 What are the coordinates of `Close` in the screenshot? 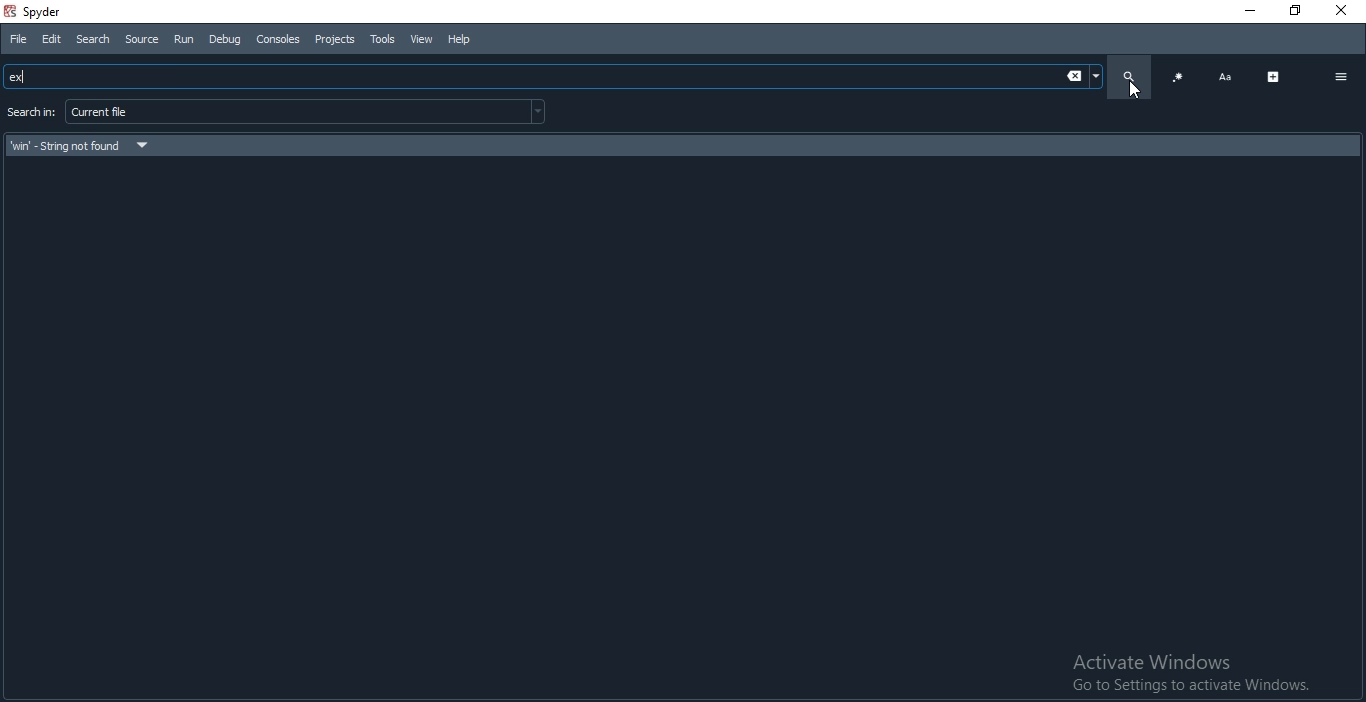 It's located at (1341, 9).